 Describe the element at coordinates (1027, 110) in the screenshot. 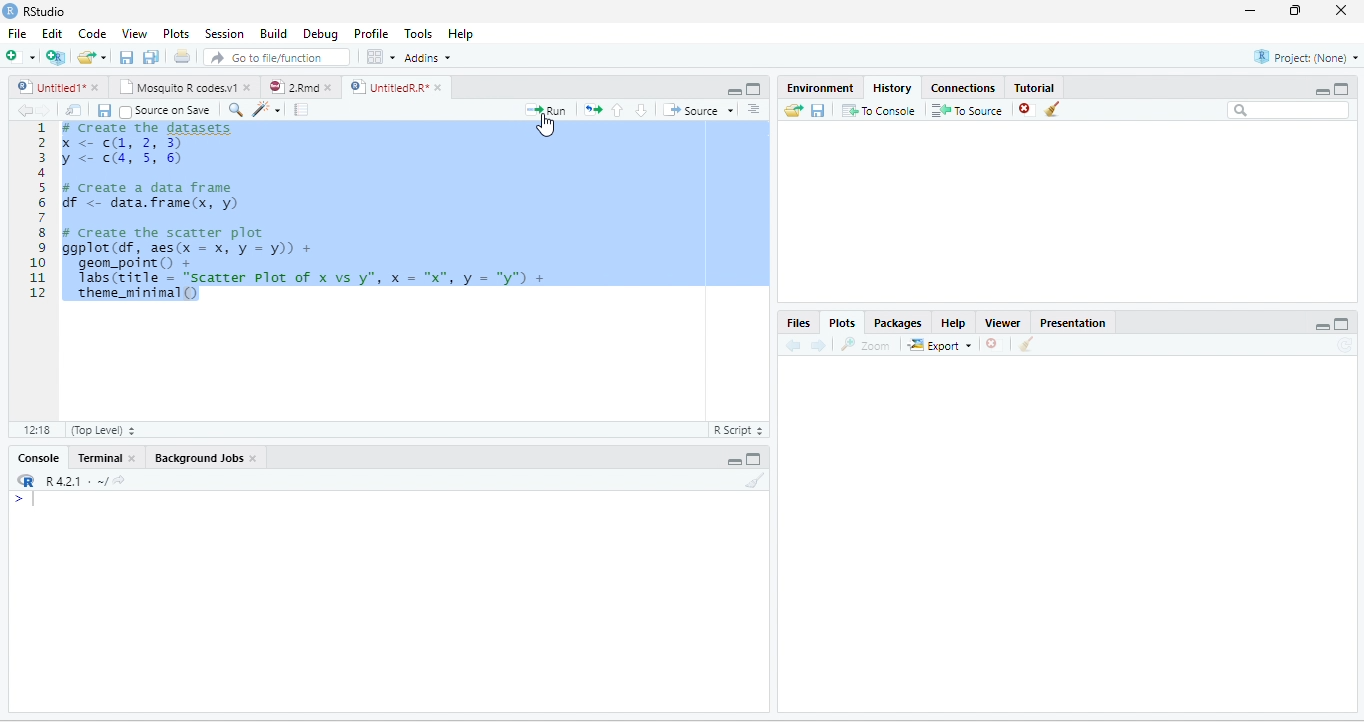

I see `Remove the selected history entries` at that location.